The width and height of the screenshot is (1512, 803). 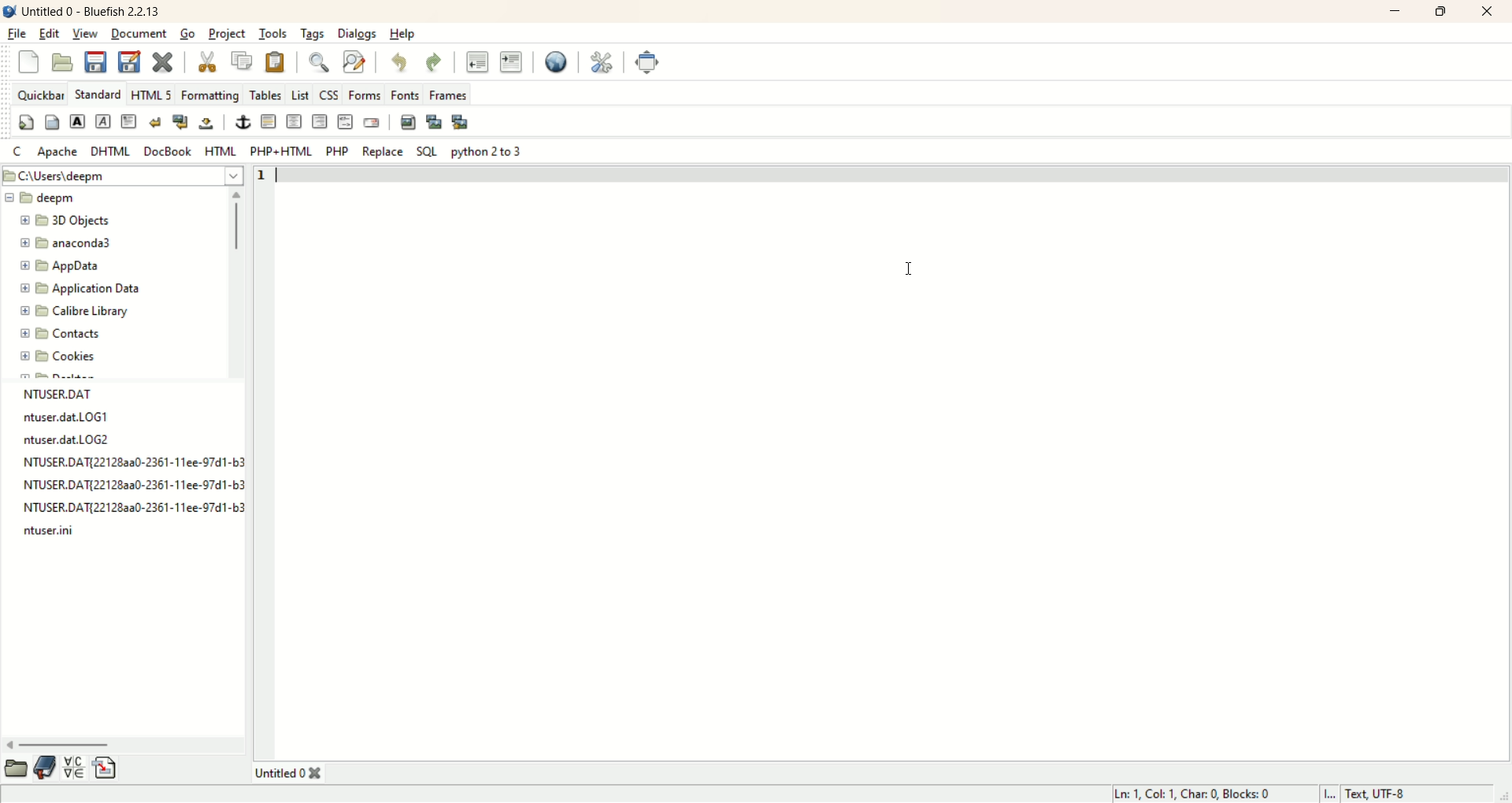 I want to click on Cursor, so click(x=906, y=264).